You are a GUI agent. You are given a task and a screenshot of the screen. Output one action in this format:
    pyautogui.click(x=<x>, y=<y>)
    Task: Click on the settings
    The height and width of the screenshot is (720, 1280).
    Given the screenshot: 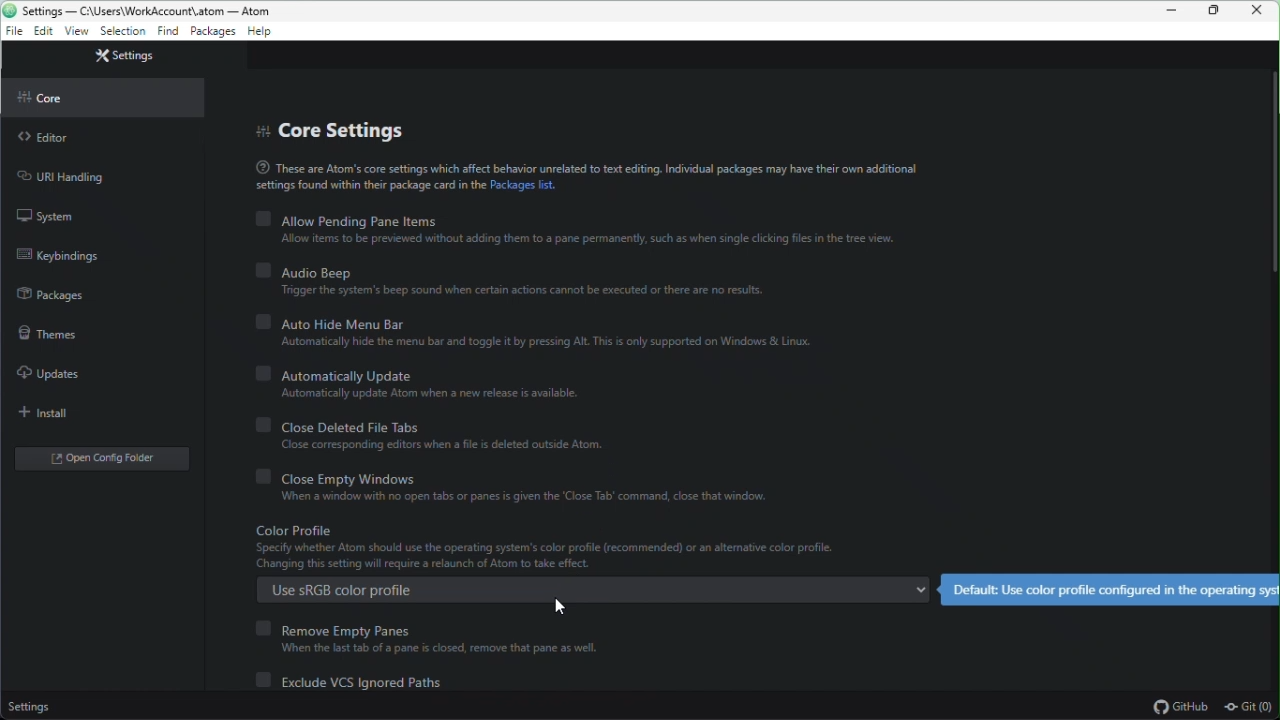 What is the action you would take?
    pyautogui.click(x=122, y=33)
    